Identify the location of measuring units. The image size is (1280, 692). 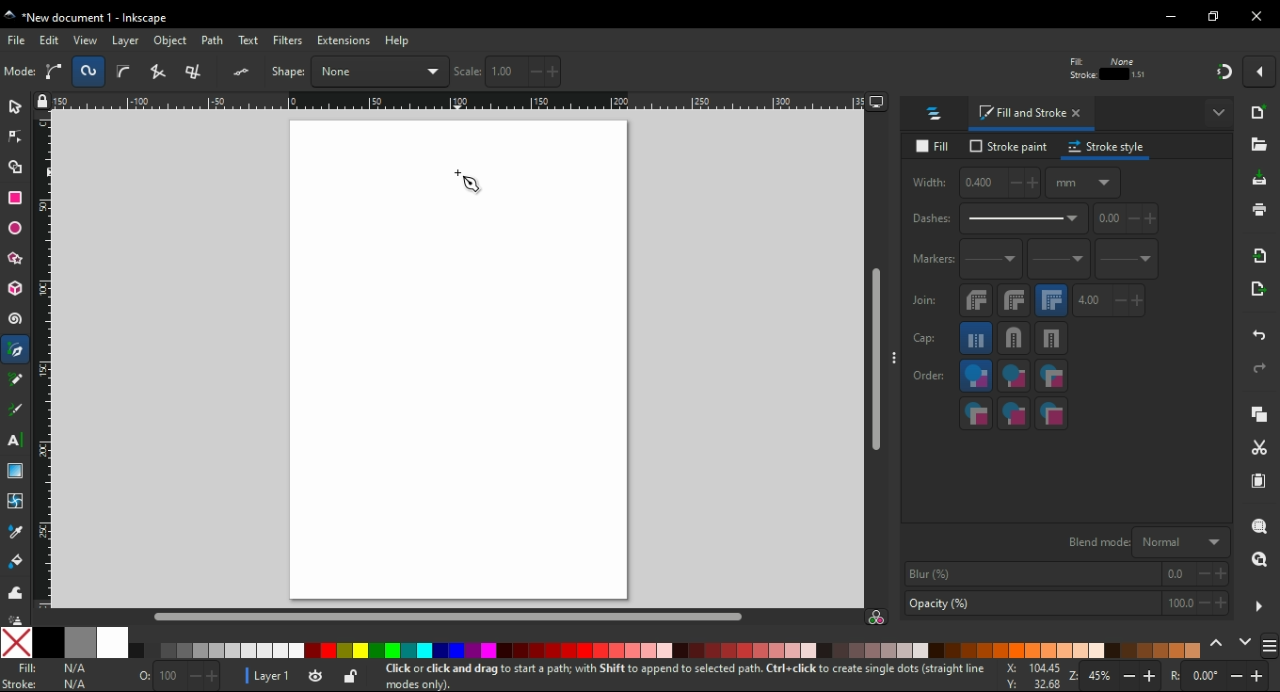
(1083, 182).